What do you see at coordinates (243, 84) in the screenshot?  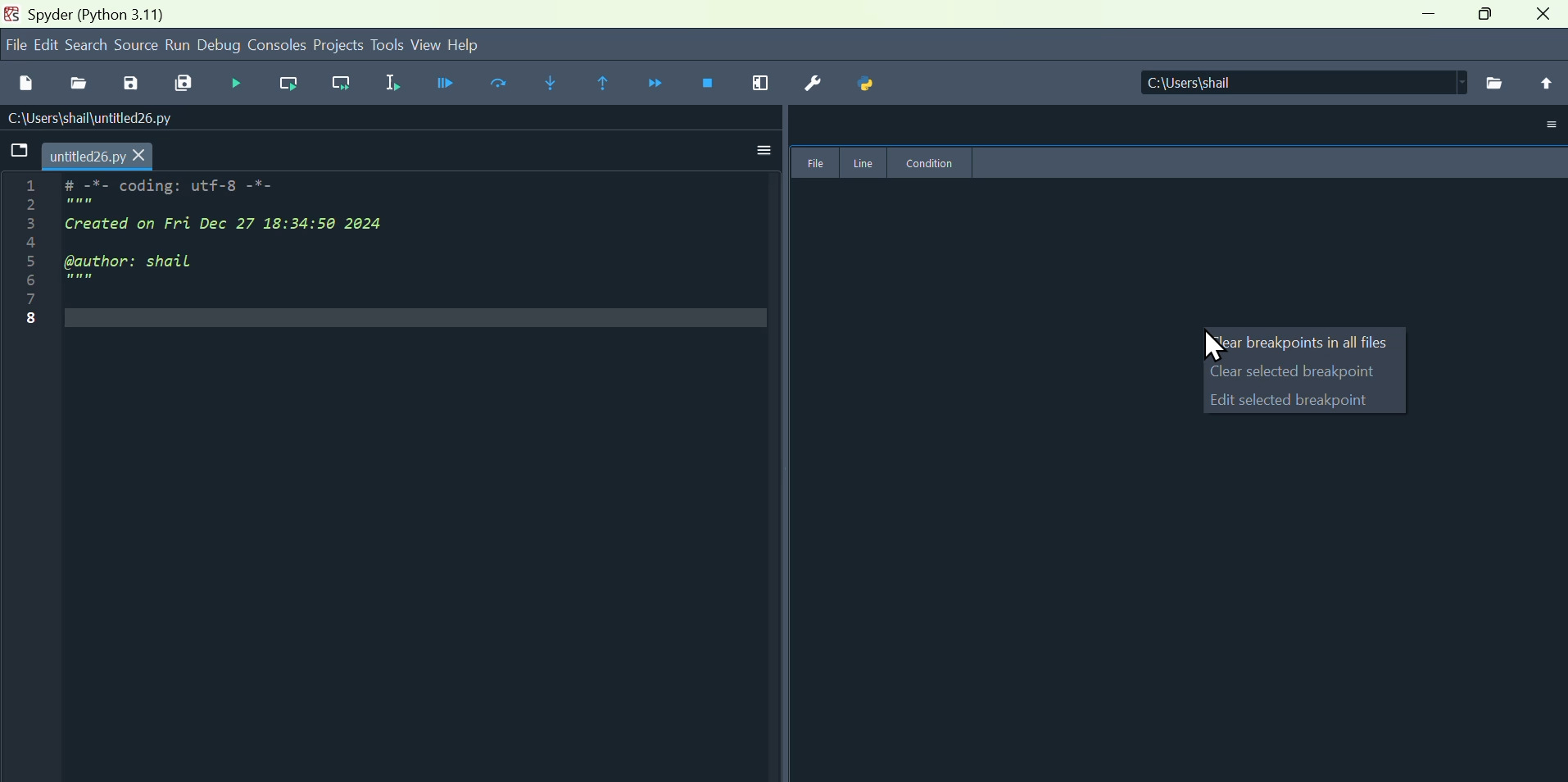 I see `` at bounding box center [243, 84].